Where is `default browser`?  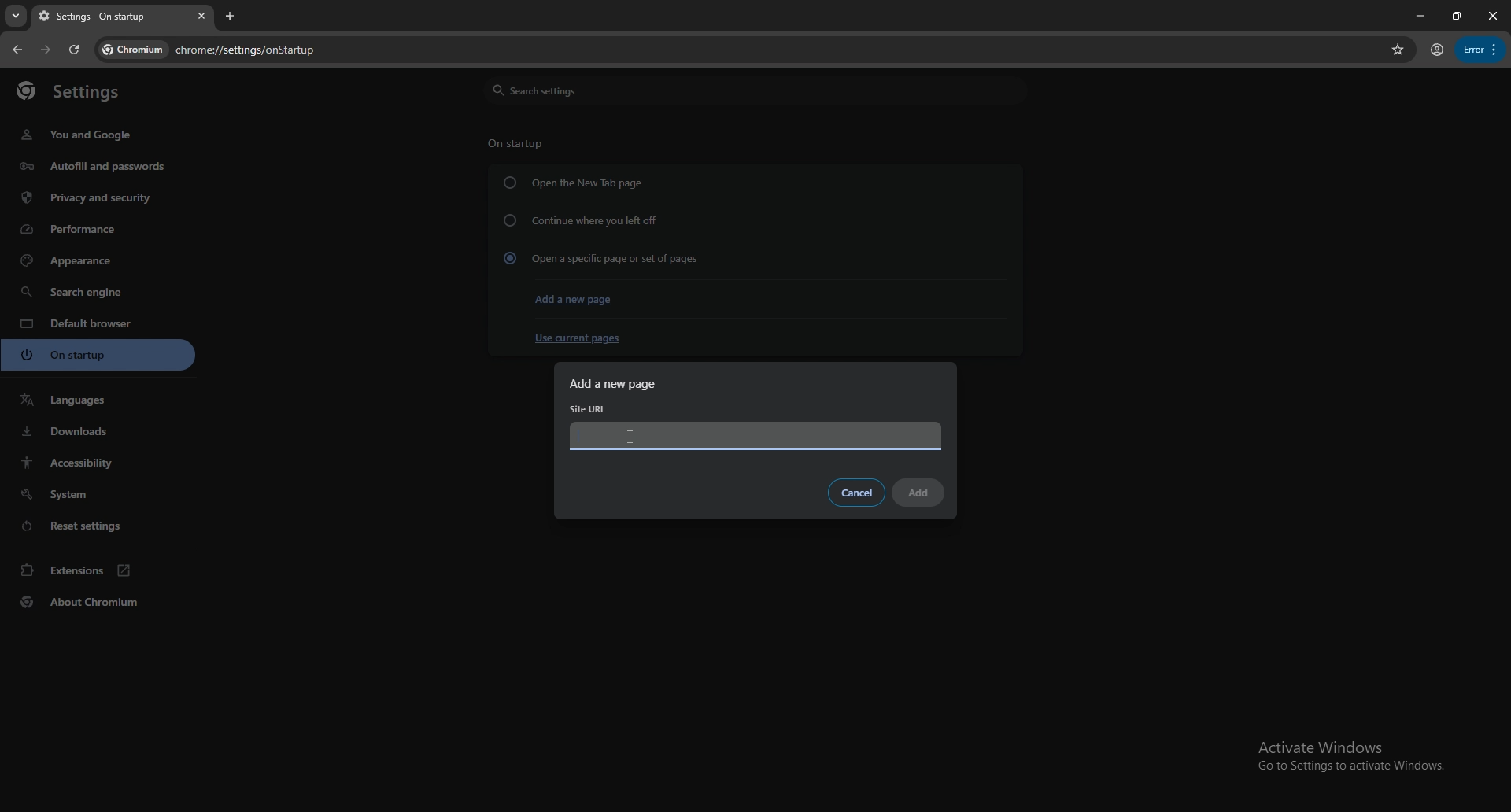 default browser is located at coordinates (98, 323).